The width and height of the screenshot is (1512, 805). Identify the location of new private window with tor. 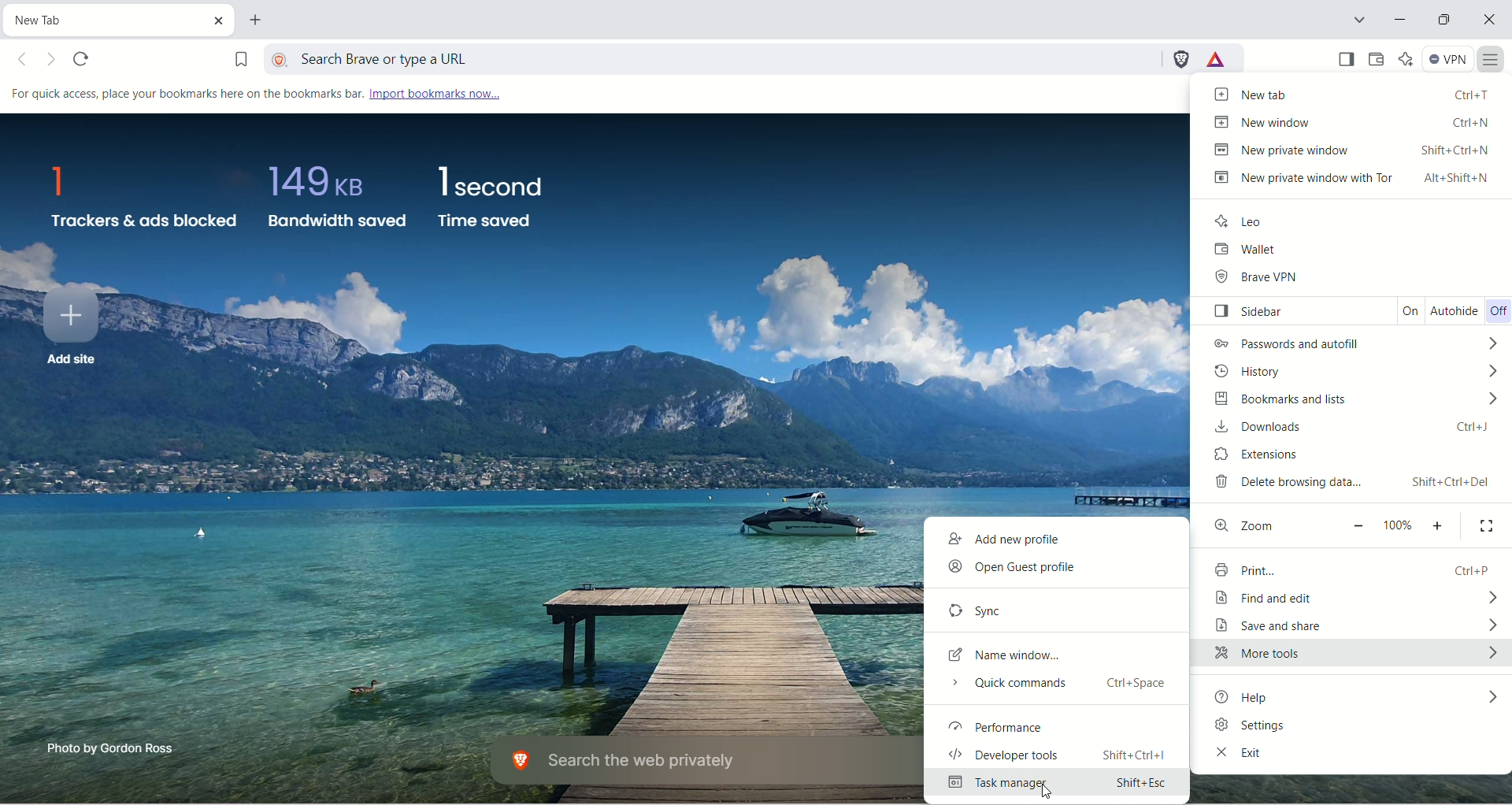
(1354, 180).